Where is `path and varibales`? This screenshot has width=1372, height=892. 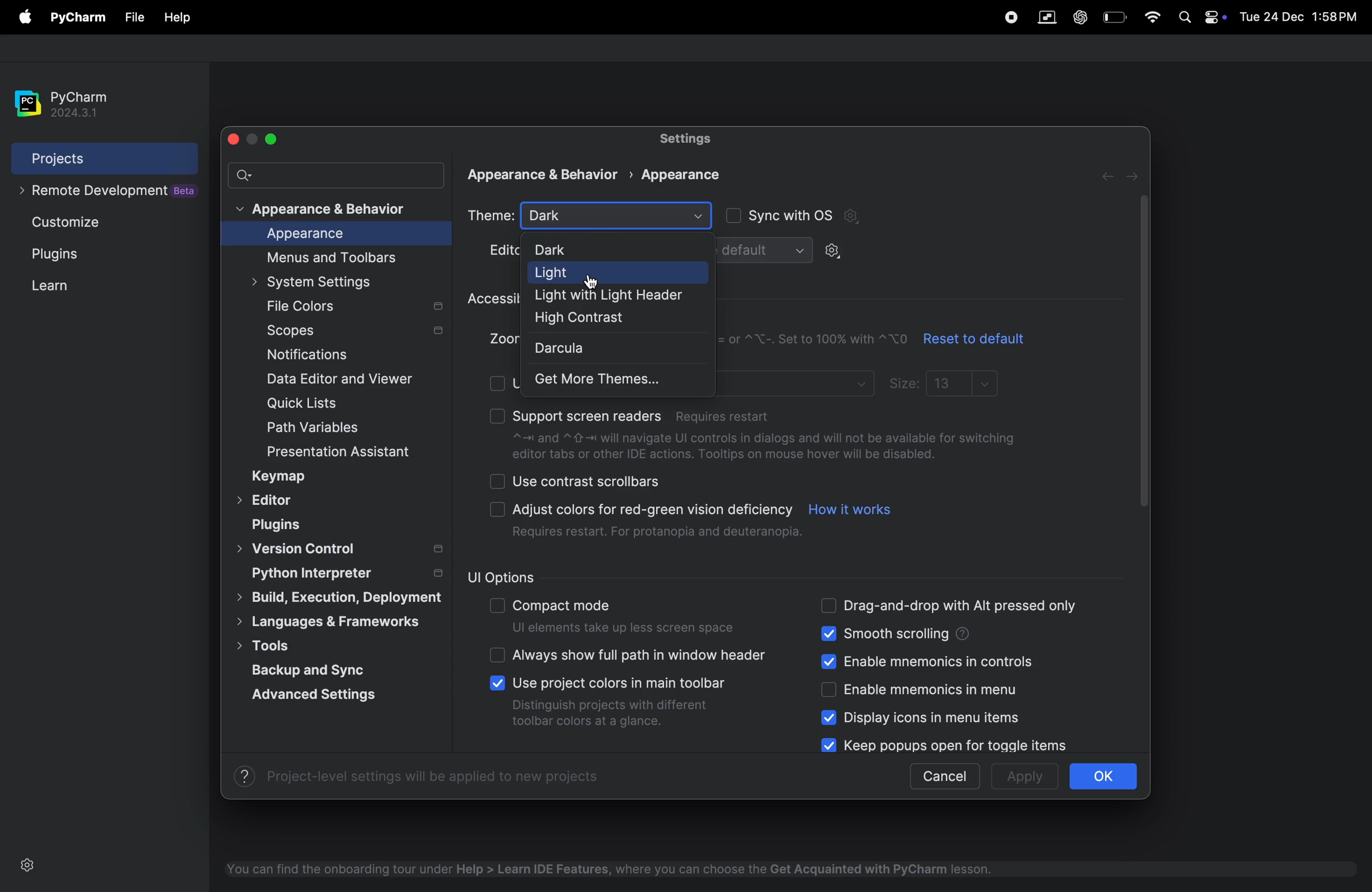
path and varibales is located at coordinates (323, 426).